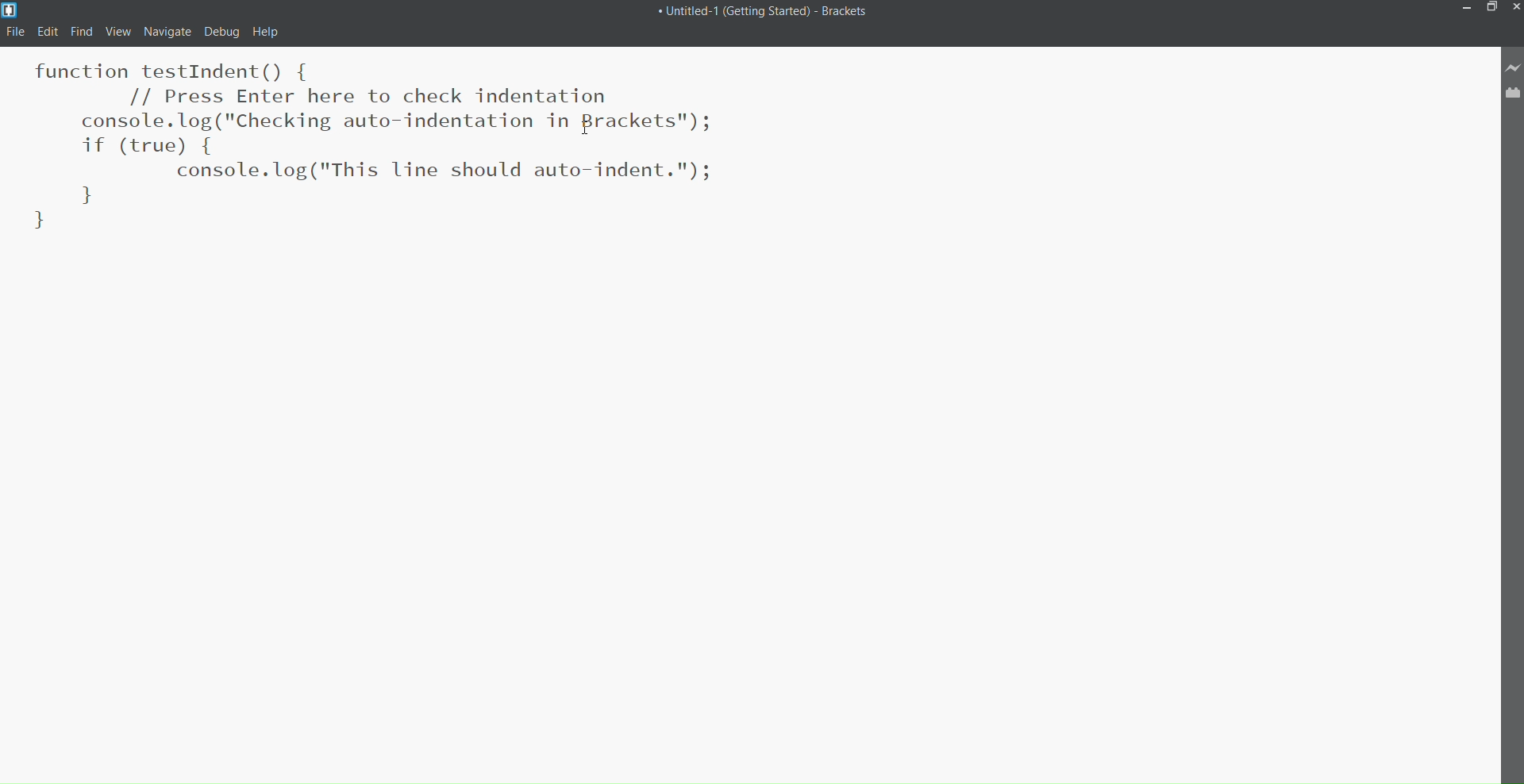 The image size is (1524, 784). I want to click on navigate, so click(167, 31).